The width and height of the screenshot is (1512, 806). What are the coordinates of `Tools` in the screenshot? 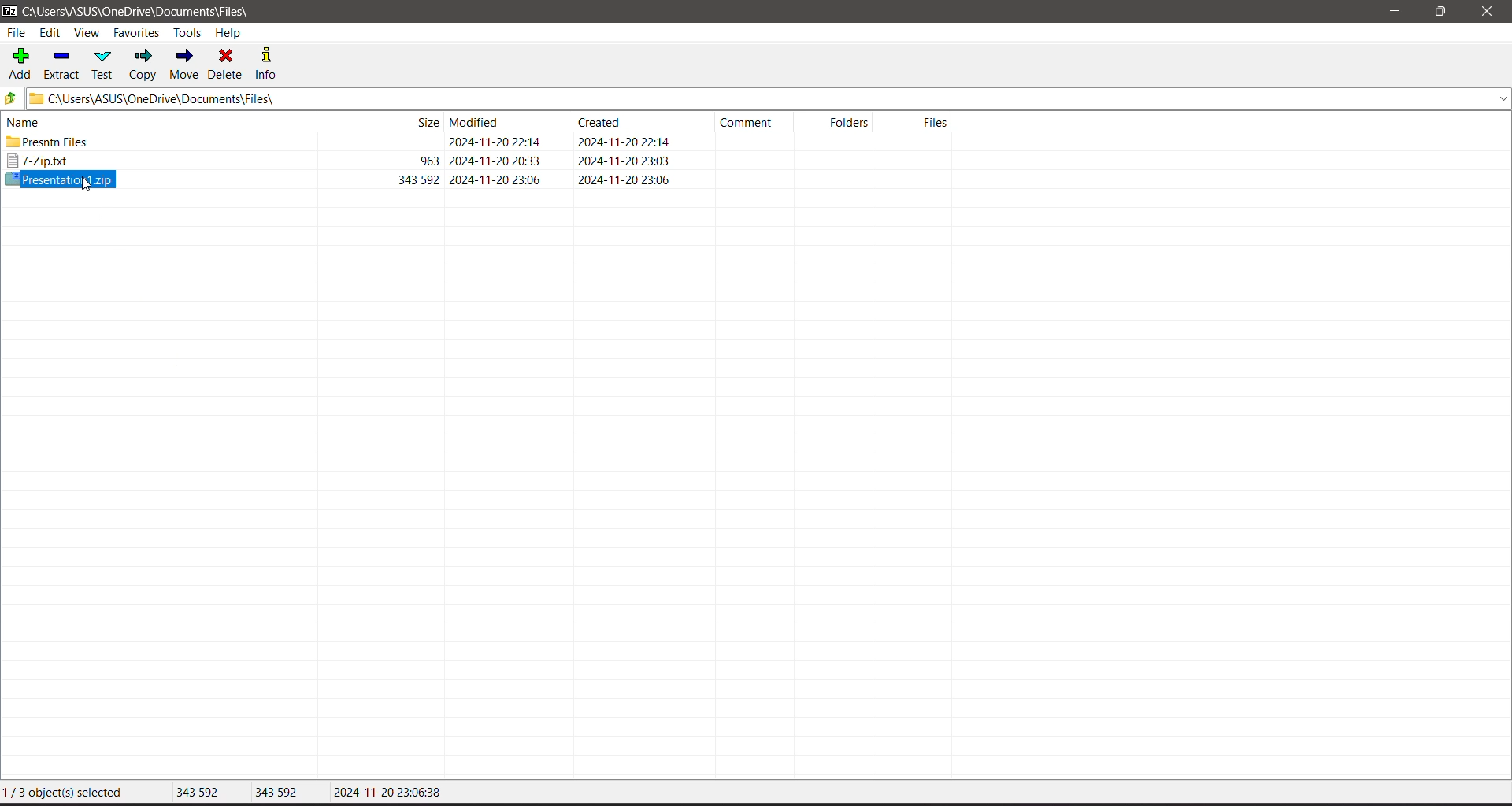 It's located at (190, 32).